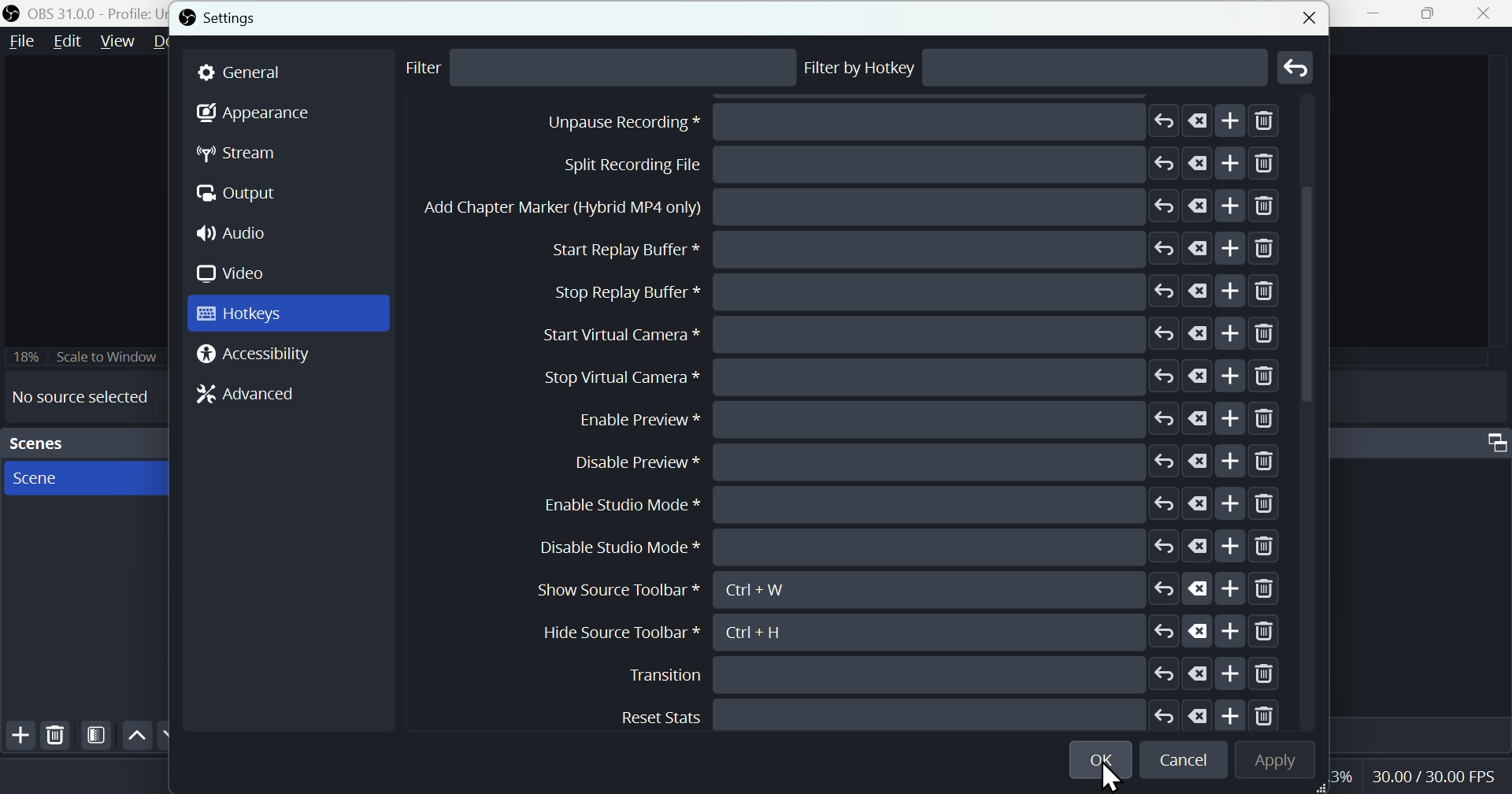 Image resolution: width=1512 pixels, height=794 pixels. Describe the element at coordinates (905, 249) in the screenshot. I see `Pause recording` at that location.